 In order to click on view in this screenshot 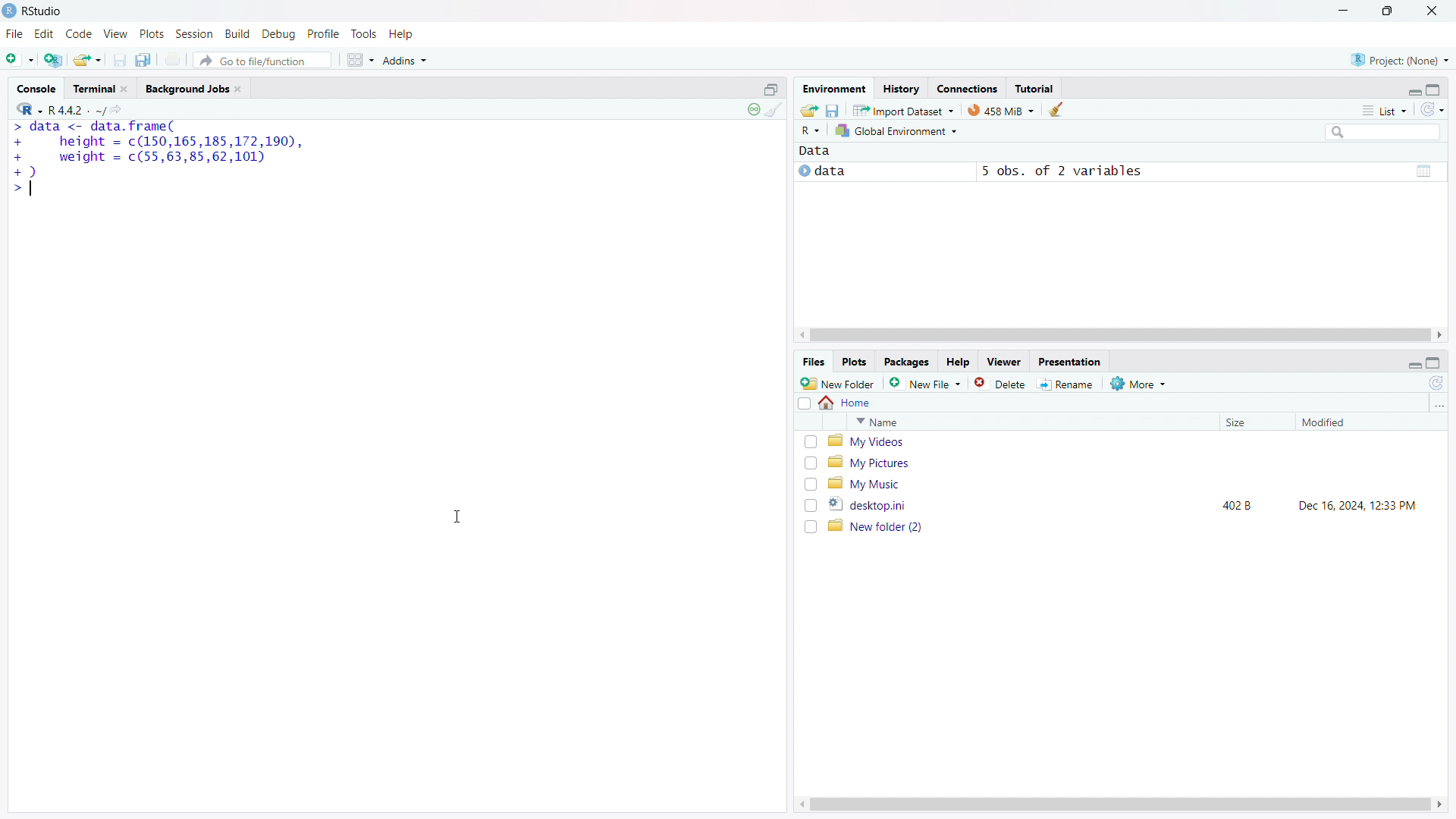, I will do `click(116, 34)`.